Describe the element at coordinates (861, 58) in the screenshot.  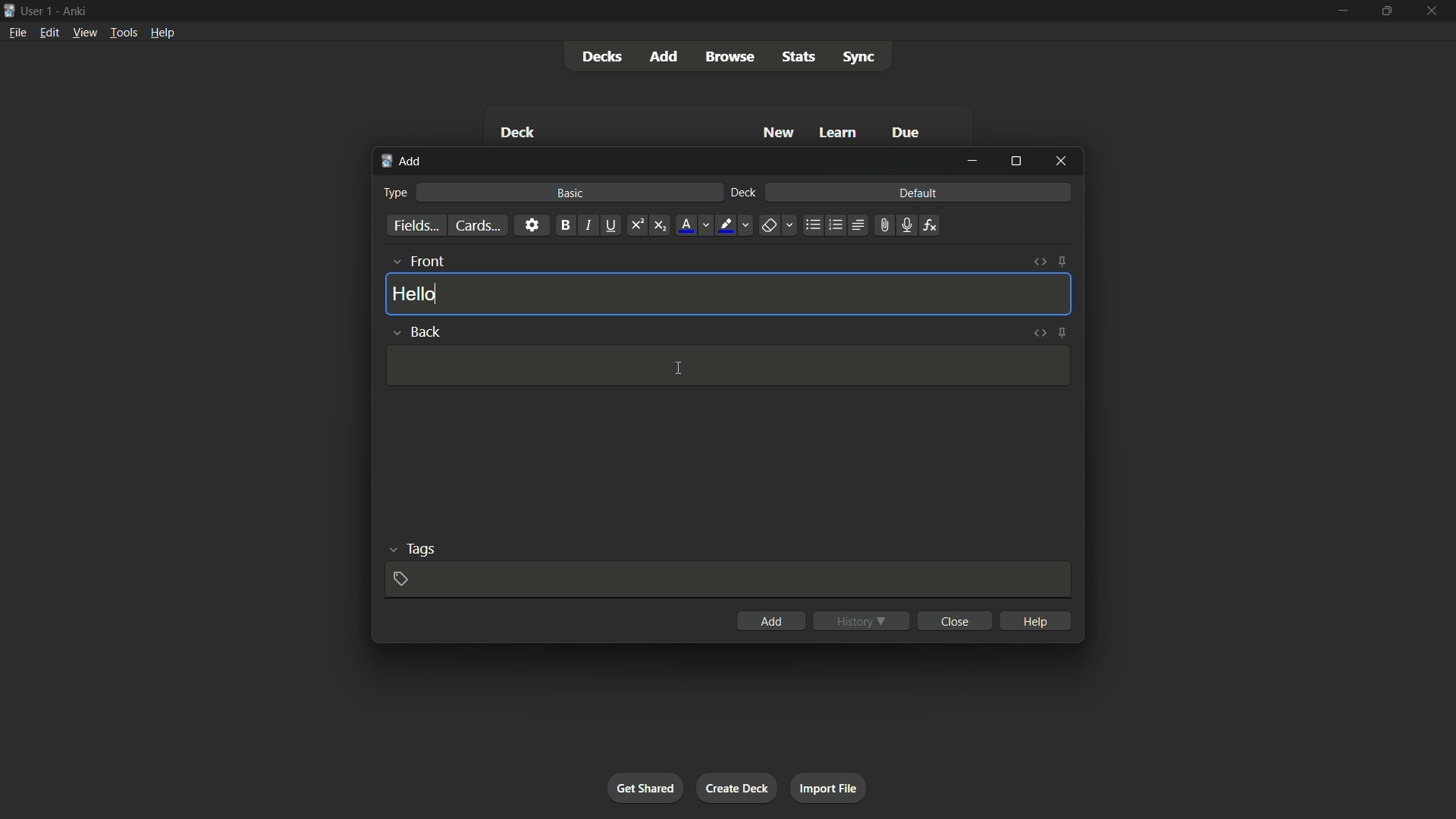
I see `sync` at that location.